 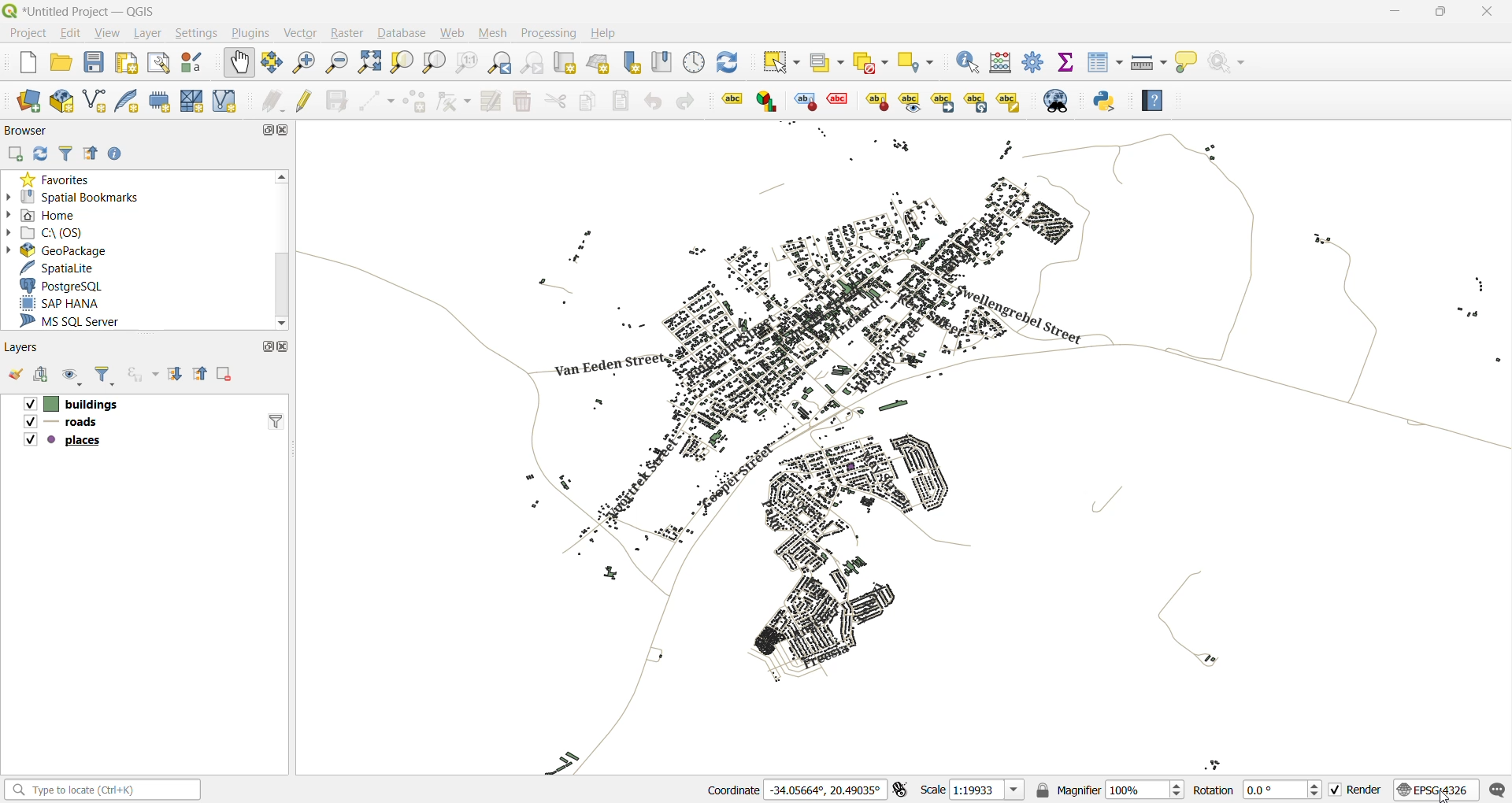 I want to click on help, so click(x=603, y=33).